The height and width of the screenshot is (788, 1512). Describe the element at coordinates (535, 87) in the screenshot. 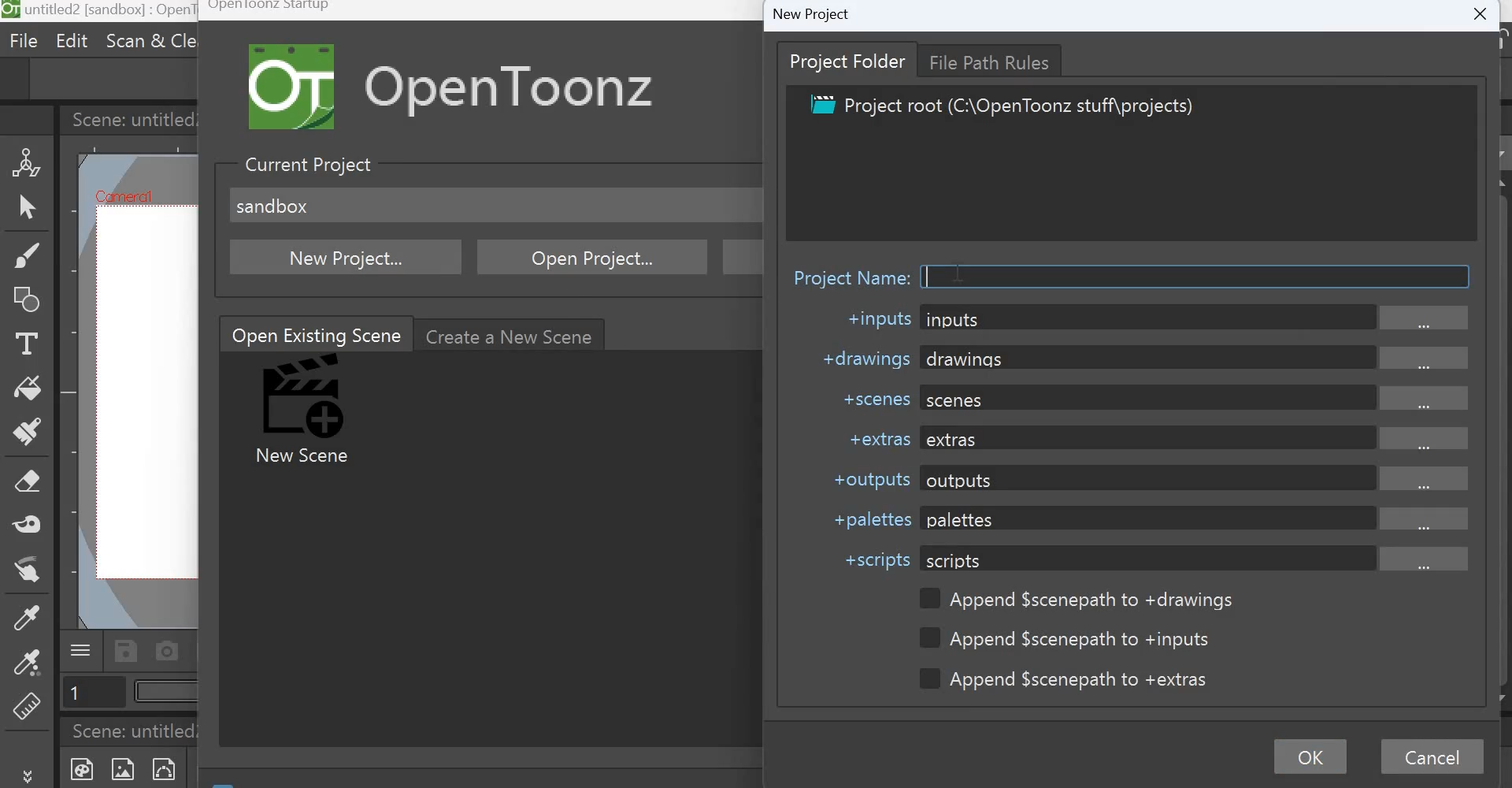

I see `Open Toonz` at that location.